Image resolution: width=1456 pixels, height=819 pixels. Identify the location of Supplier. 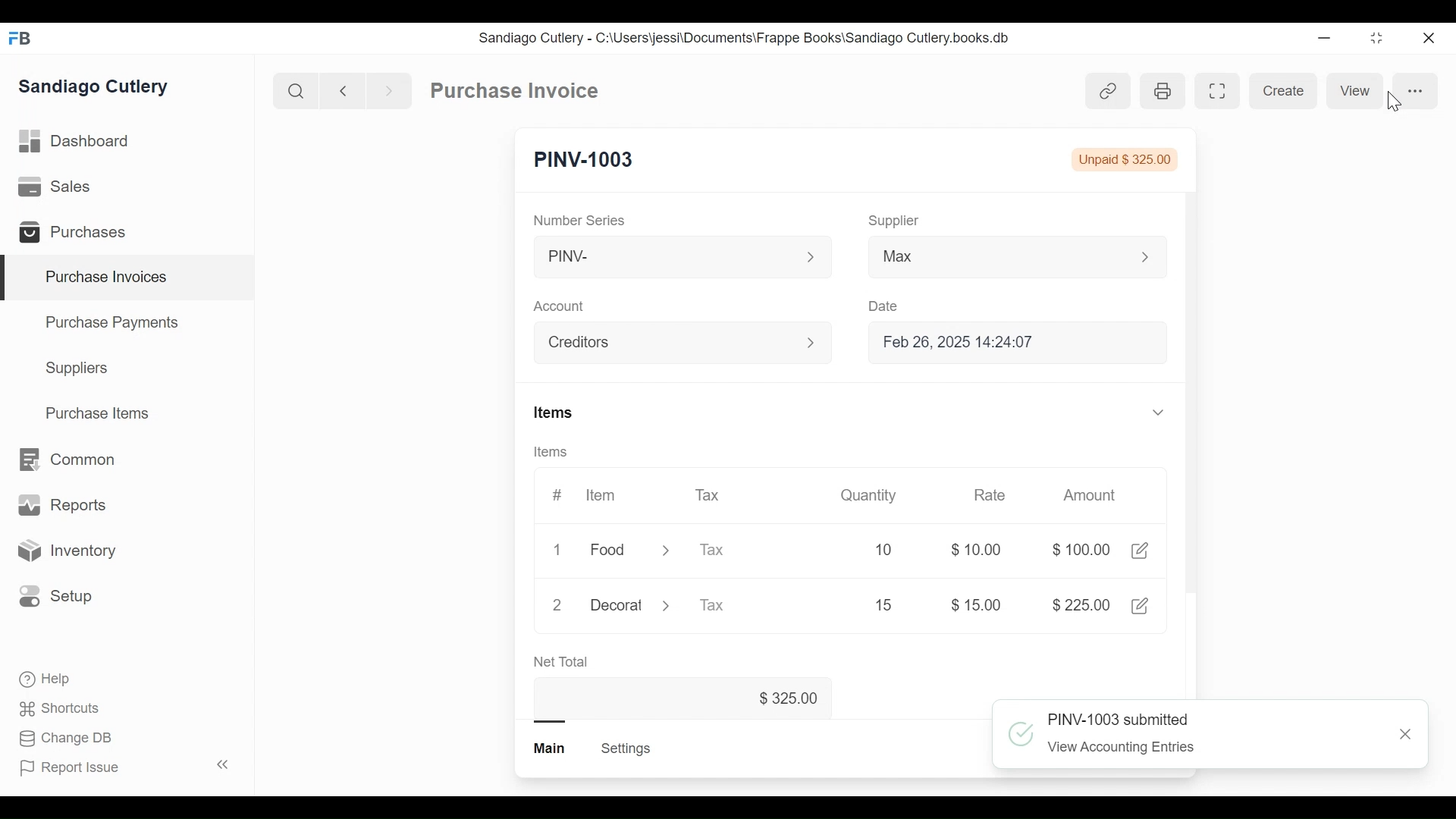
(894, 221).